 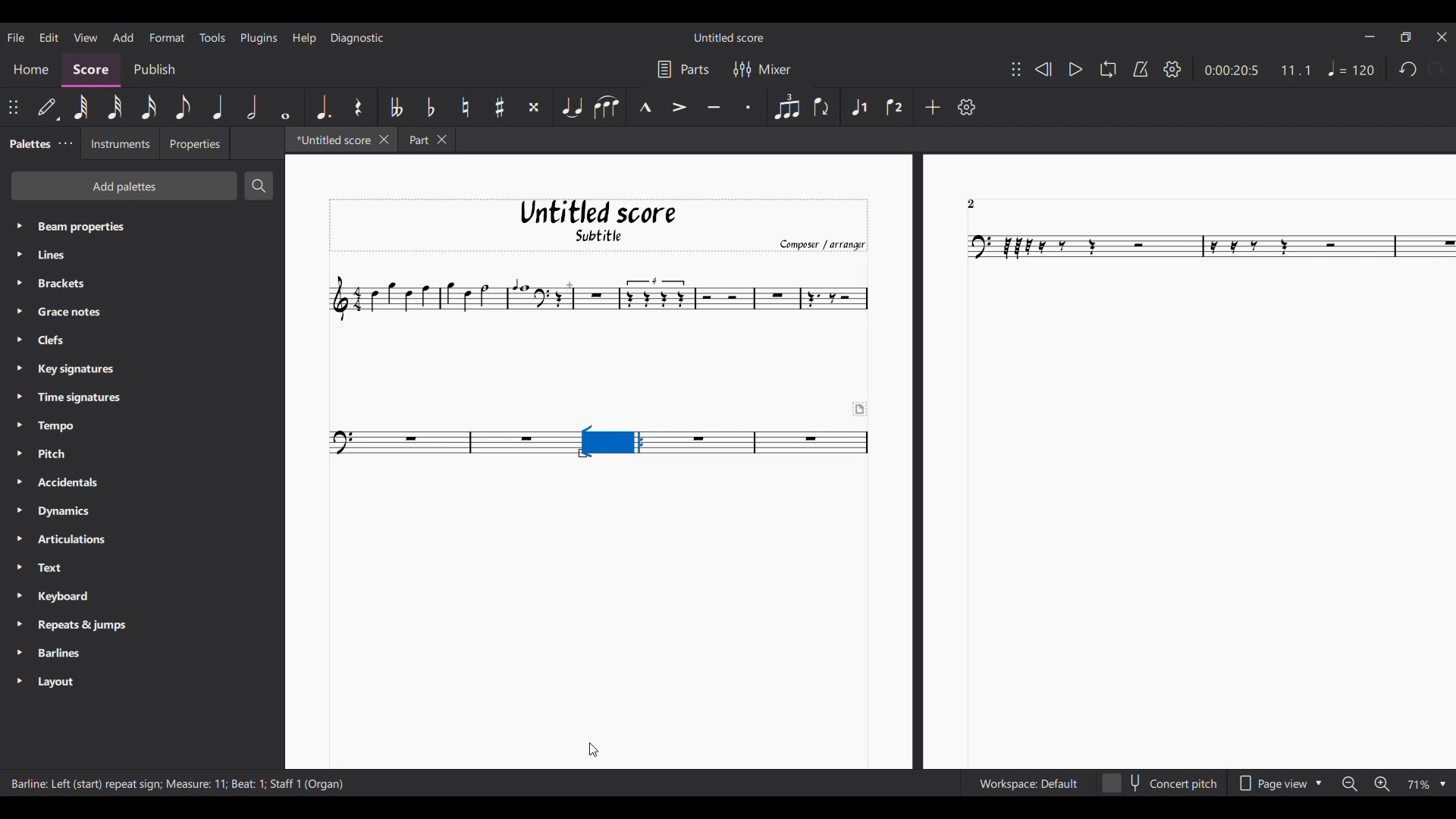 I want to click on Instruments tab, so click(x=120, y=143).